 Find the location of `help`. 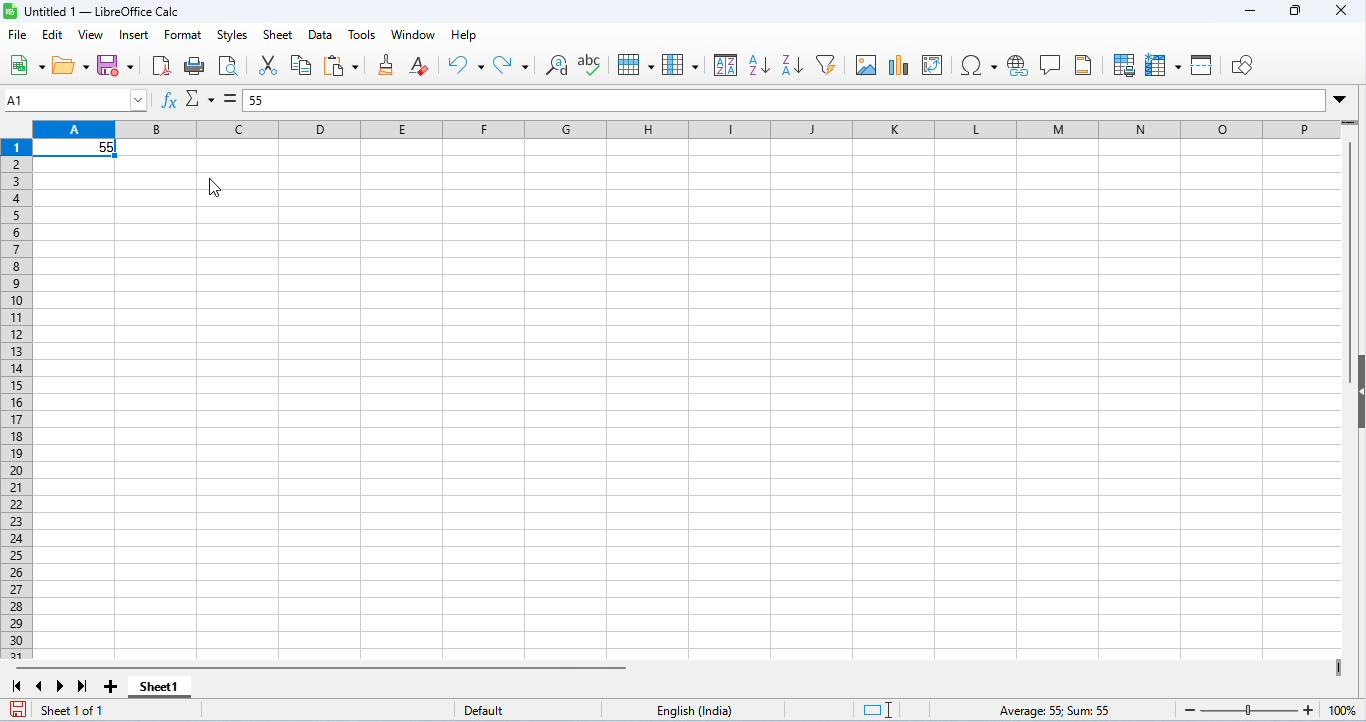

help is located at coordinates (467, 36).